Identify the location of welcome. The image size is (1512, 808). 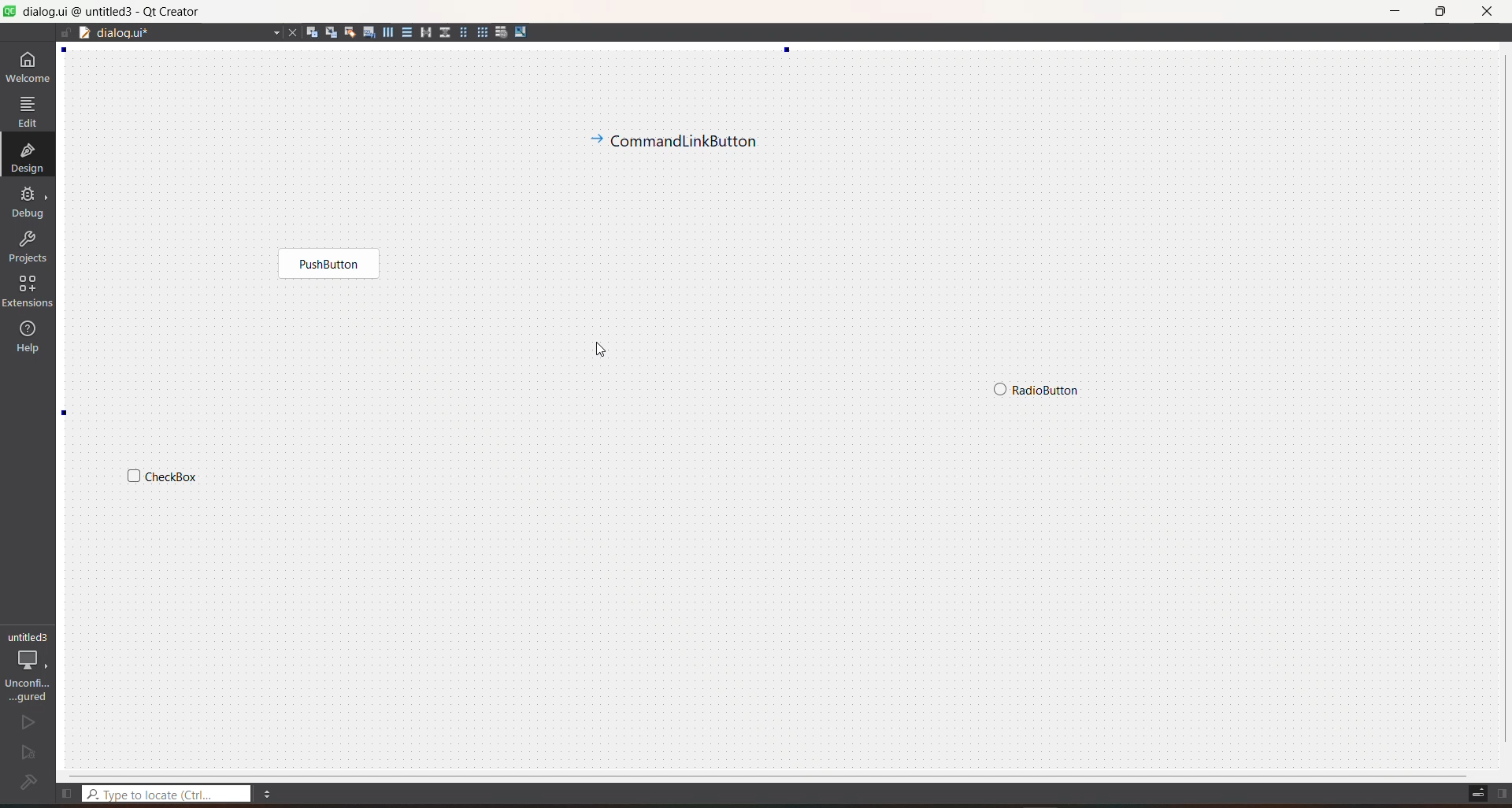
(28, 64).